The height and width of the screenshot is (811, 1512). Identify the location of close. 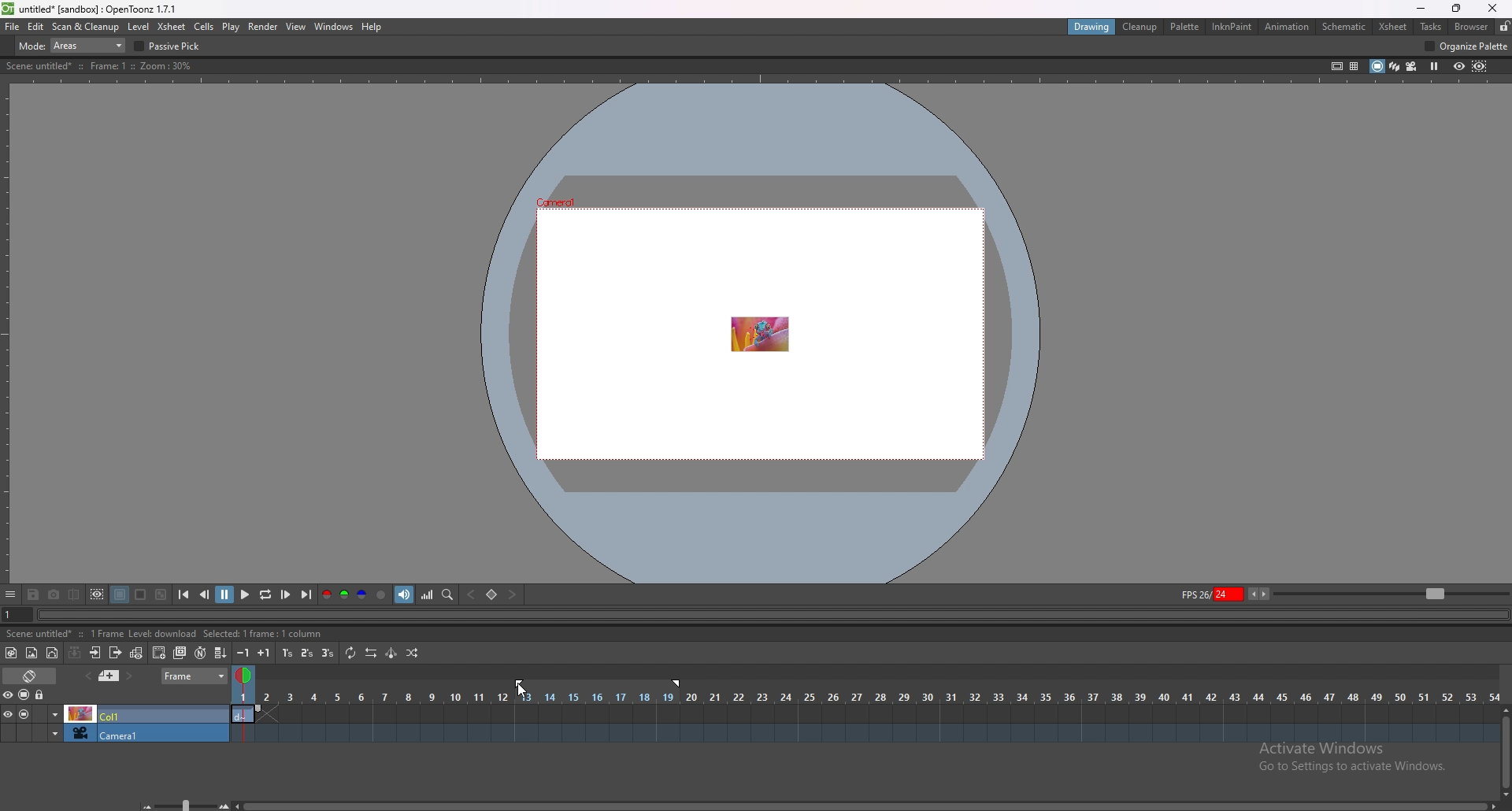
(1493, 8).